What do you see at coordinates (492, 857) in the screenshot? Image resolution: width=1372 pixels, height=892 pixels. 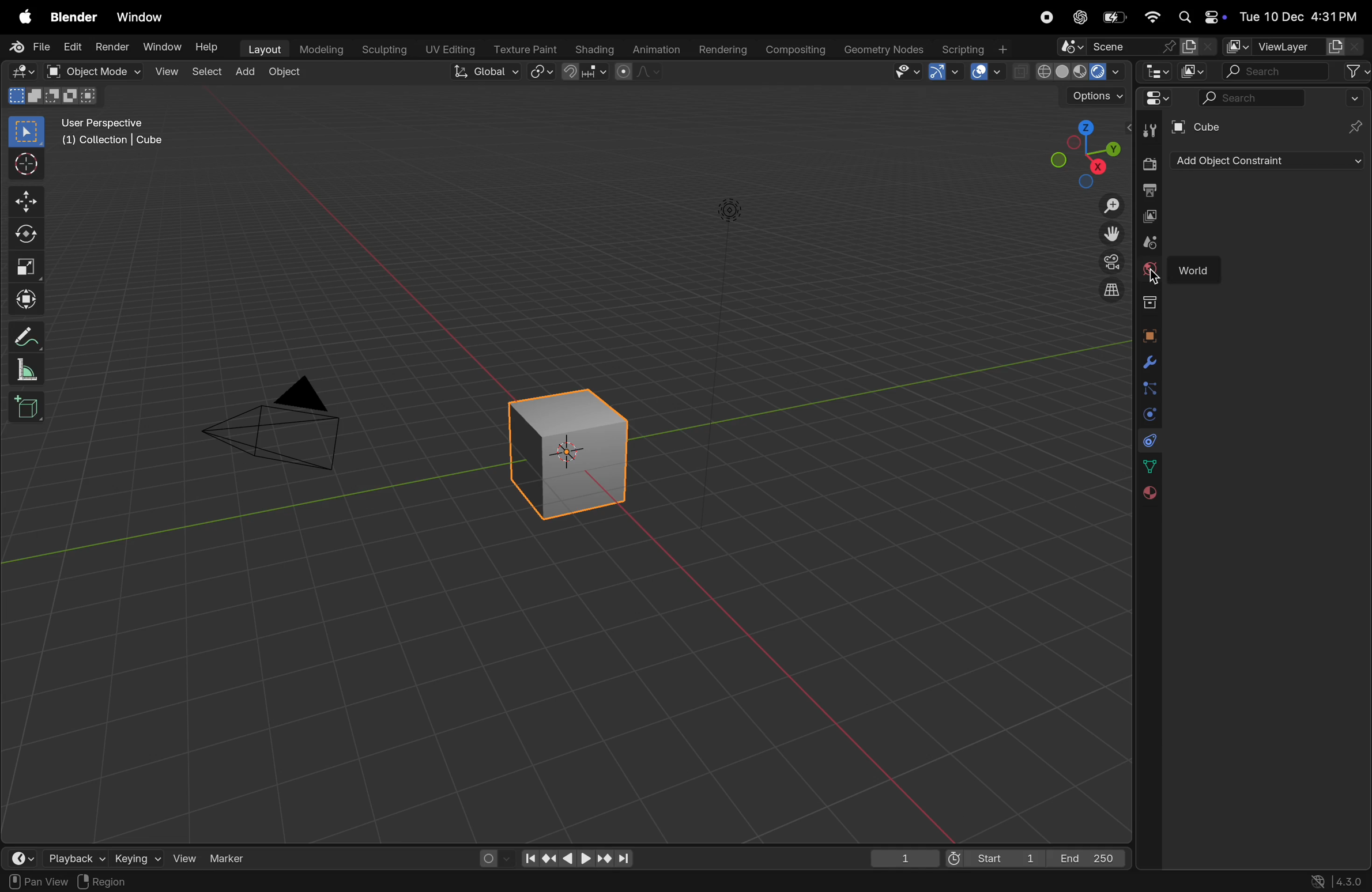 I see `auto keying` at bounding box center [492, 857].